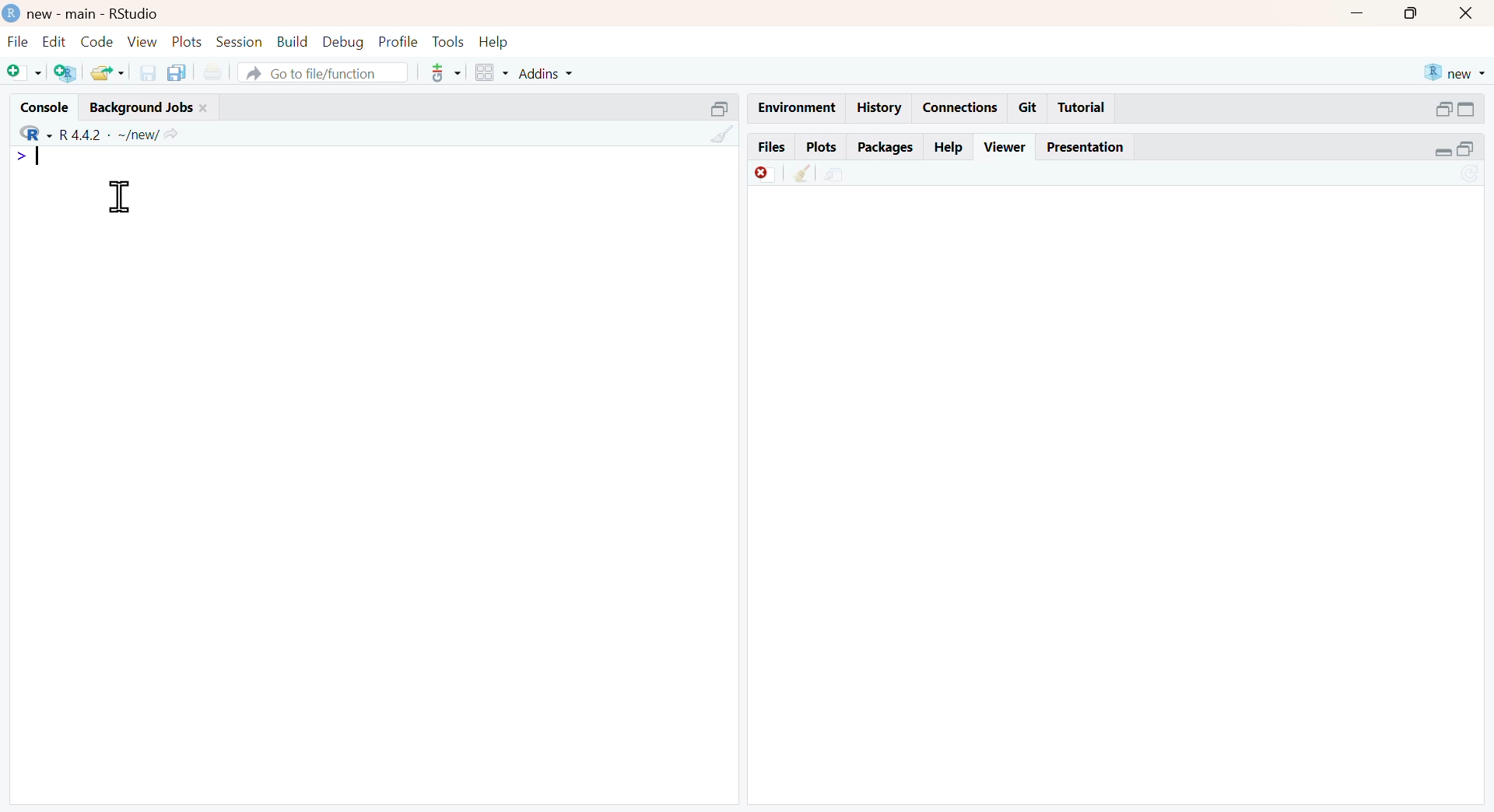  I want to click on help, so click(494, 42).